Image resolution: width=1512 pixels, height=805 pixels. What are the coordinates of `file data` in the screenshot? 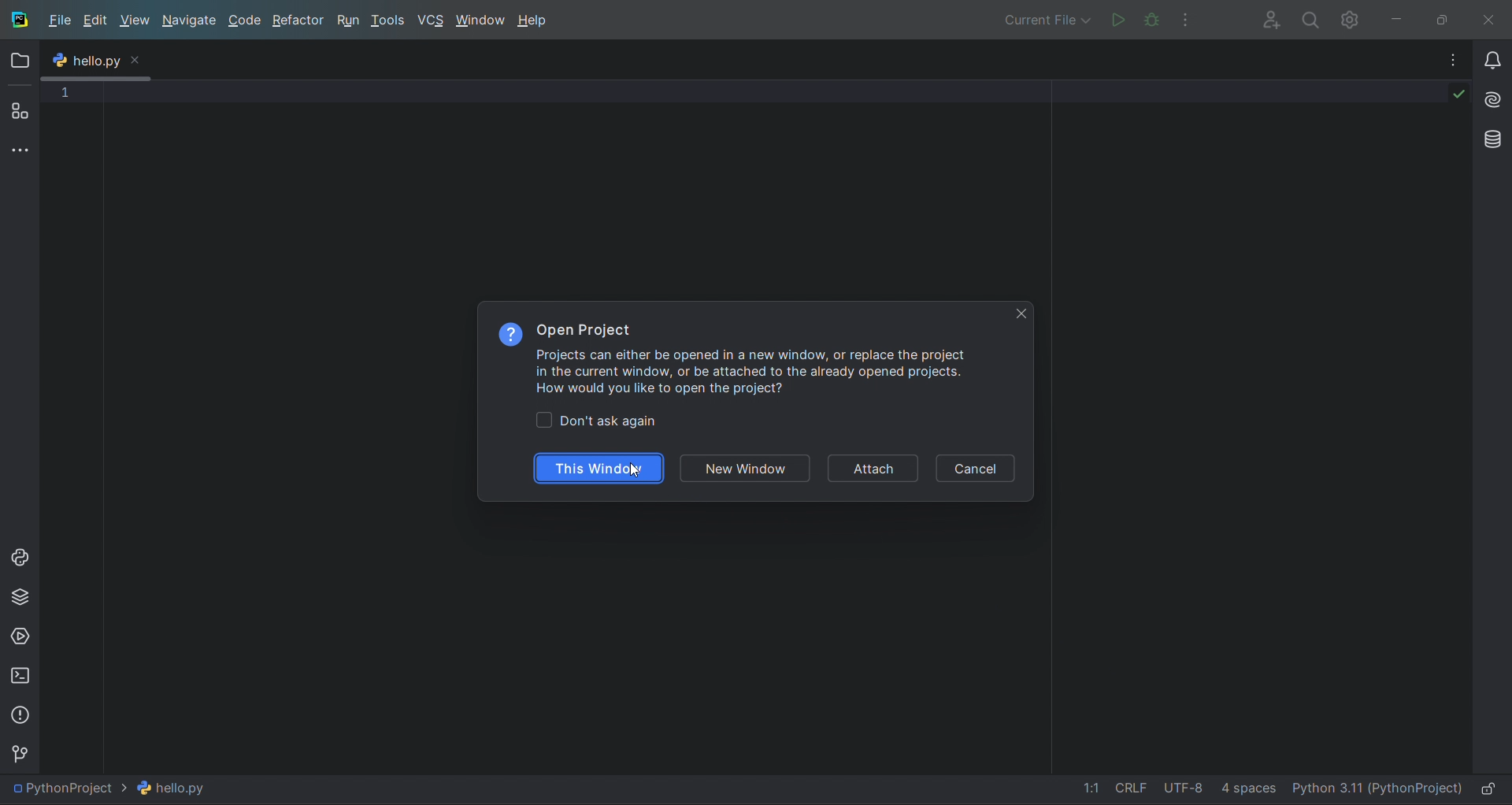 It's located at (1166, 791).